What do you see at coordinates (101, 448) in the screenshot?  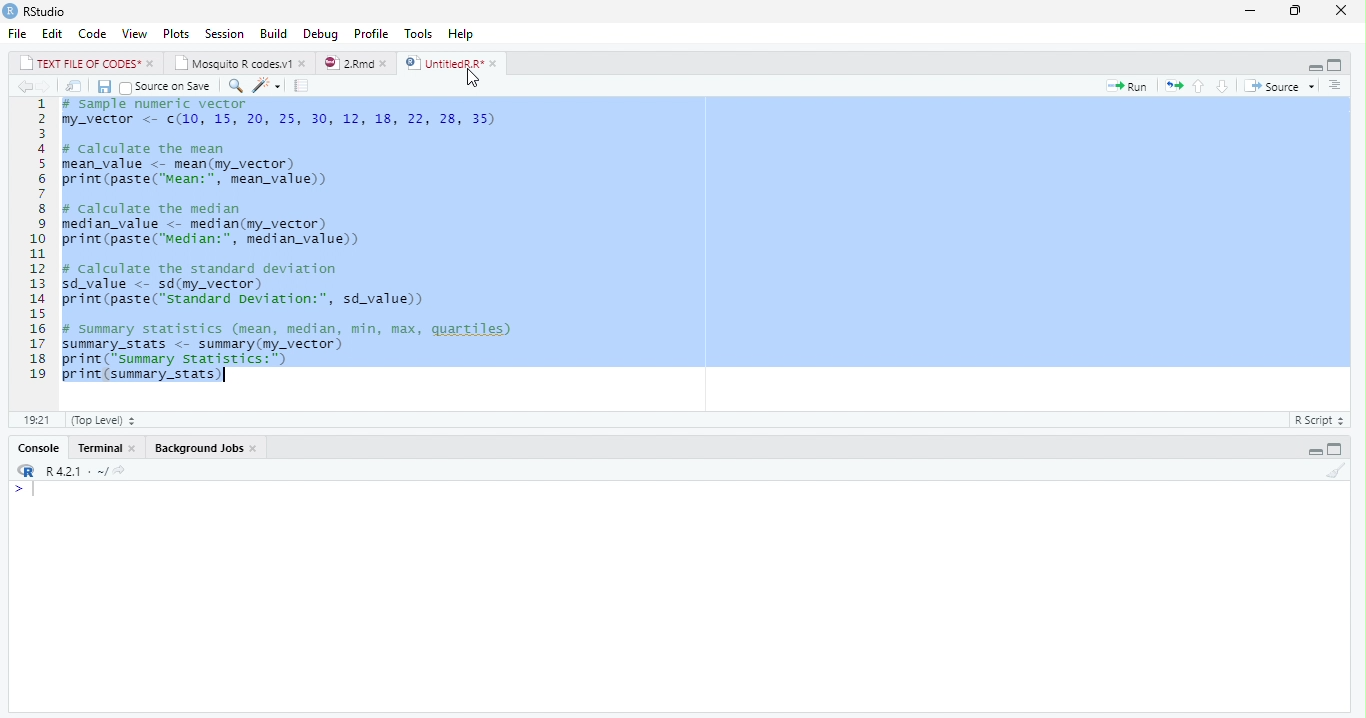 I see `Terminal` at bounding box center [101, 448].